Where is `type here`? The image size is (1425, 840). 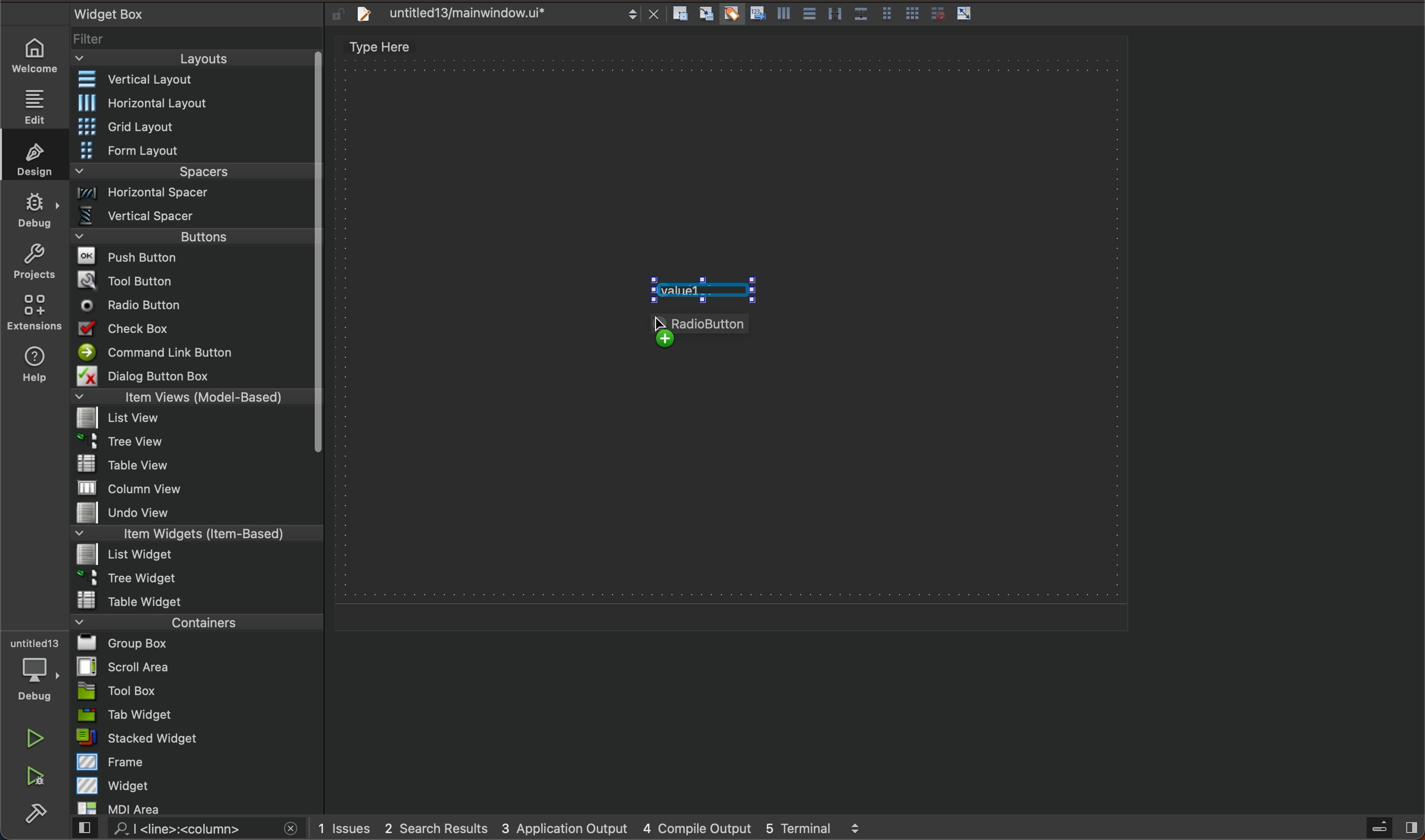
type here is located at coordinates (392, 49).